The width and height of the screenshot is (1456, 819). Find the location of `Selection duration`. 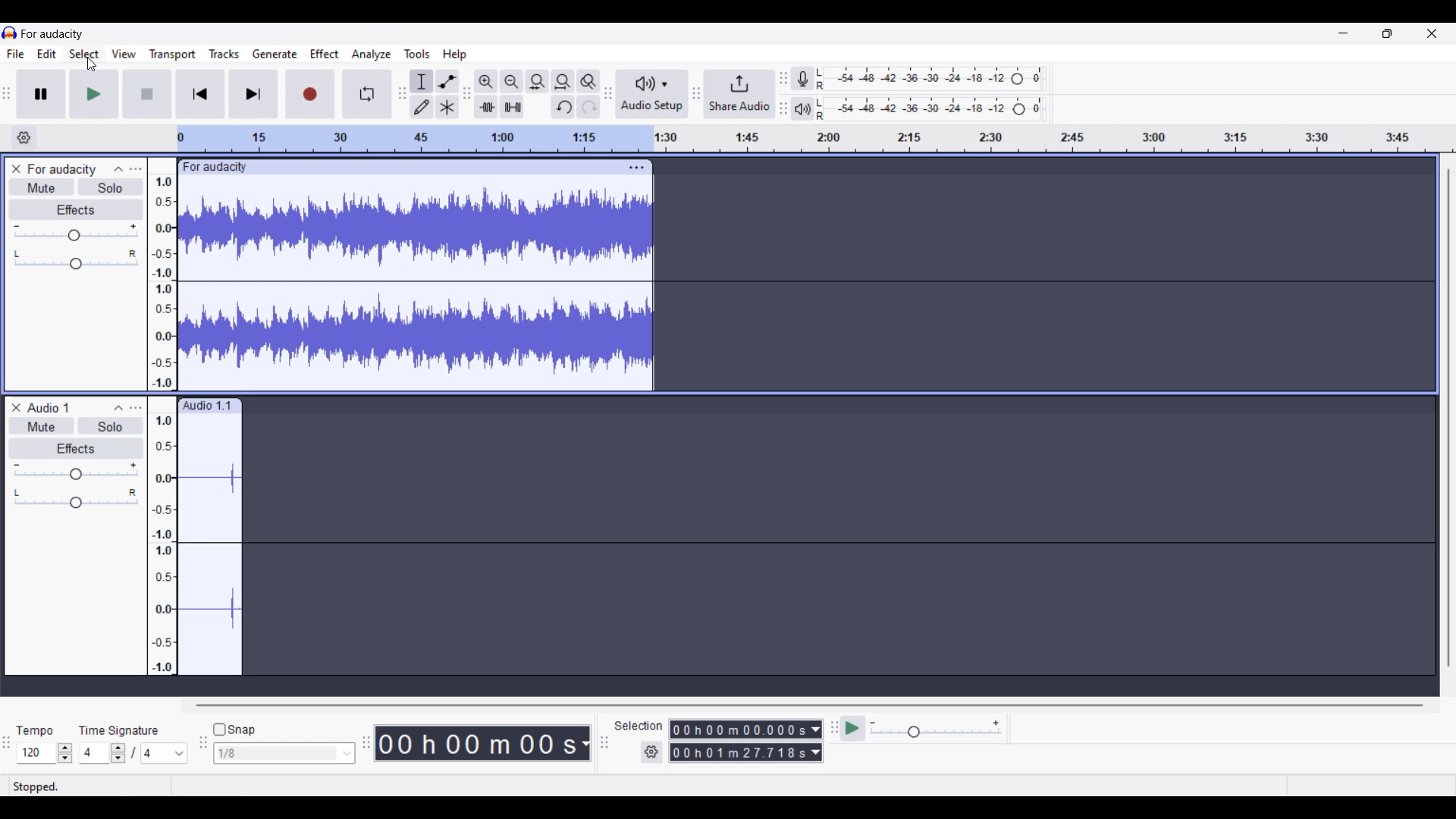

Selection duration is located at coordinates (739, 742).